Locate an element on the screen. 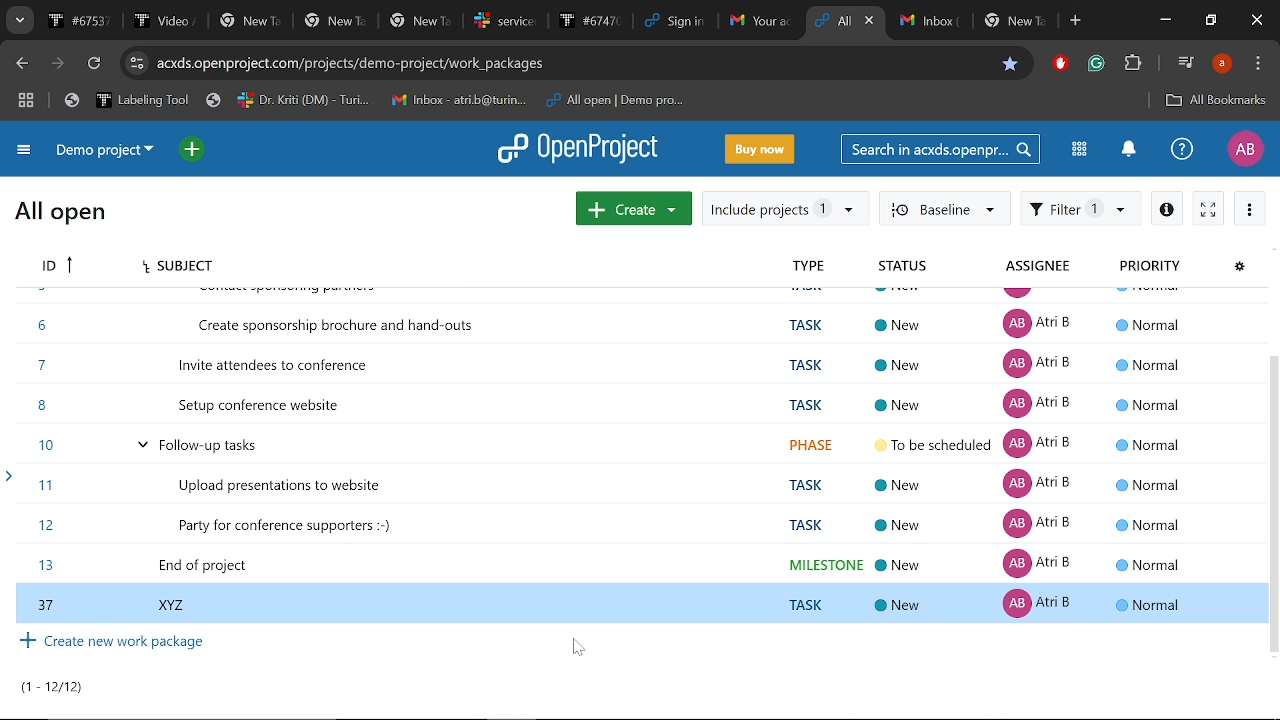  Add new tab is located at coordinates (1076, 21).